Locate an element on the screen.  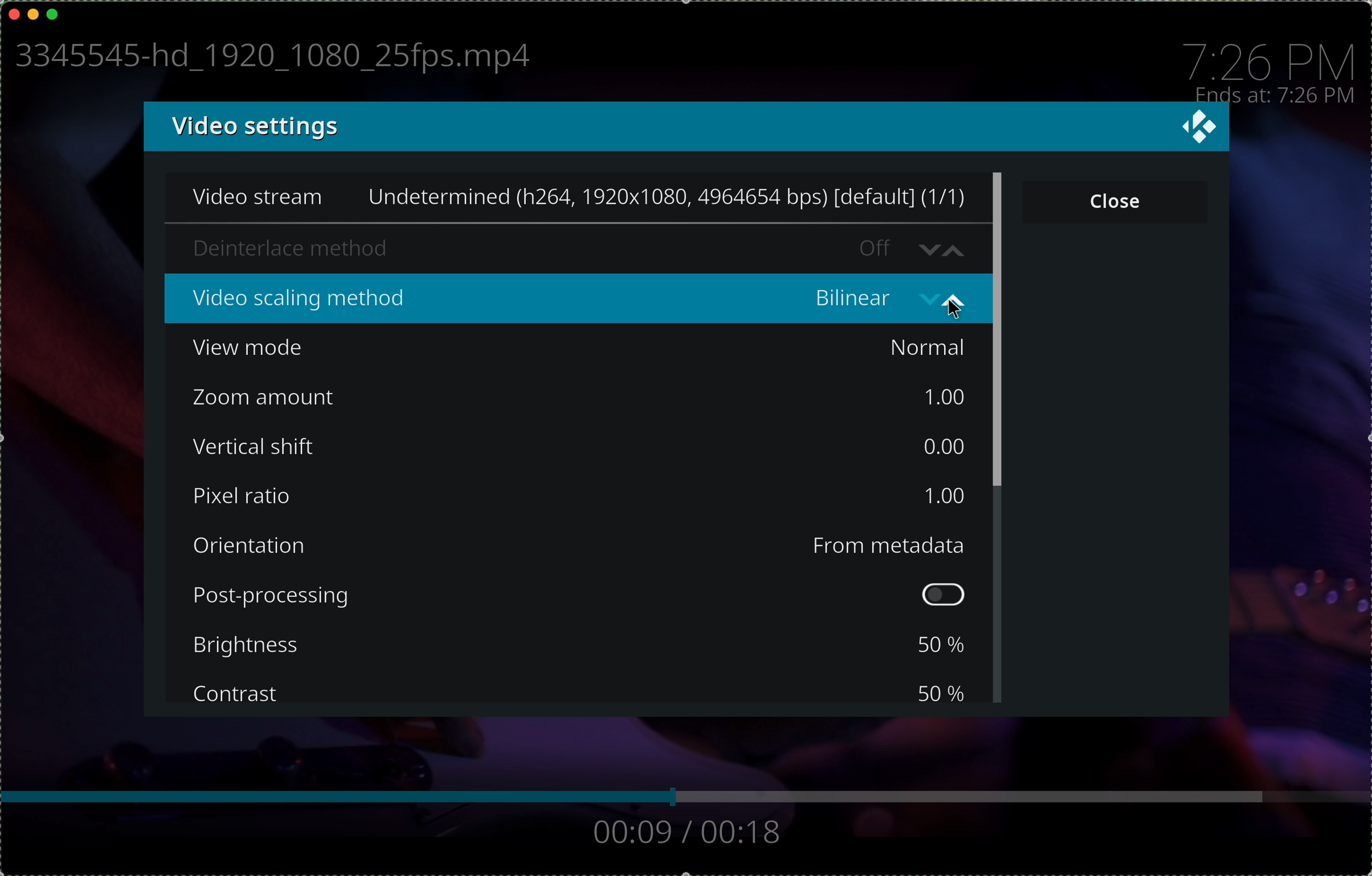
50 % is located at coordinates (941, 692).